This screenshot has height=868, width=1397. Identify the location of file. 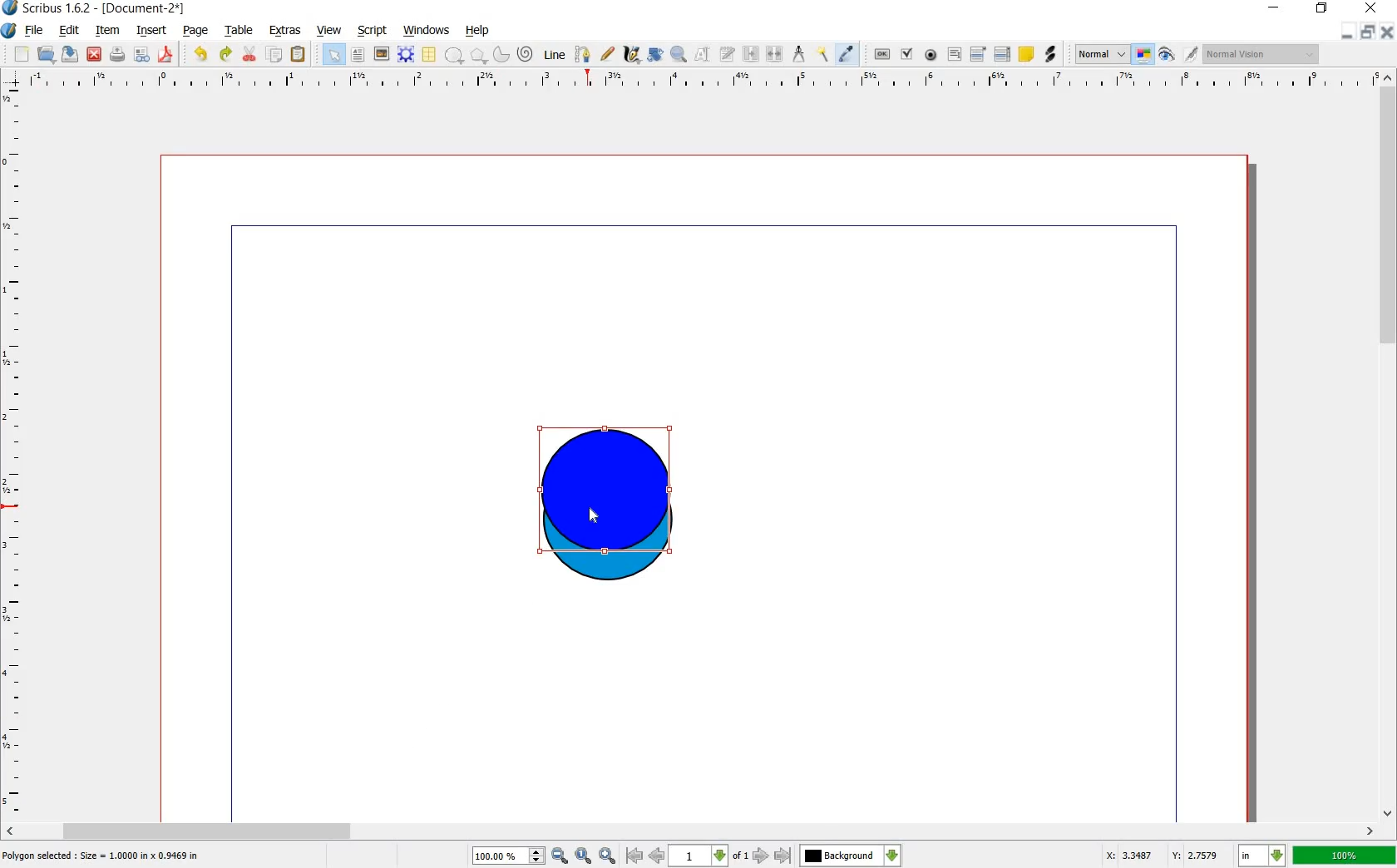
(35, 31).